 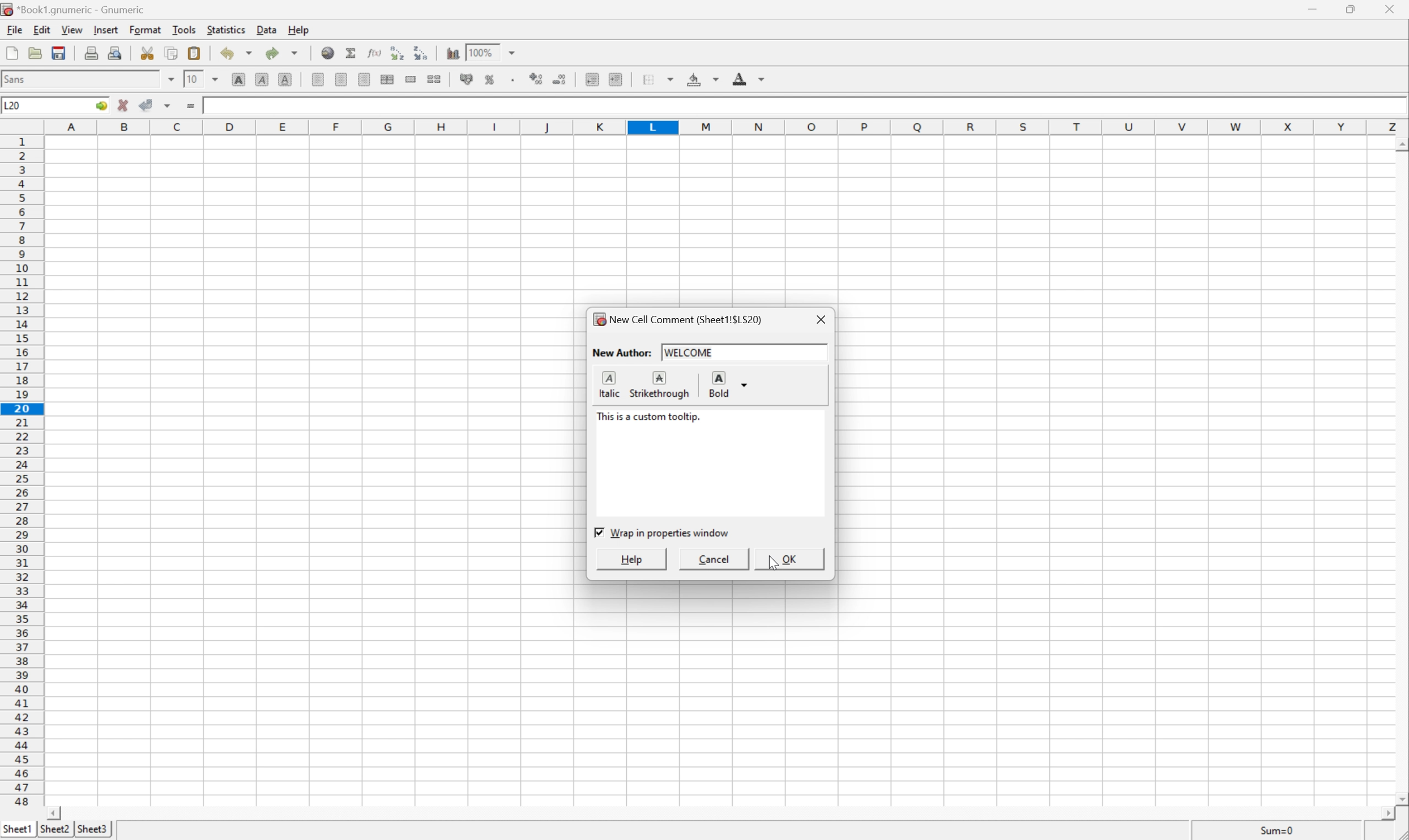 I want to click on Help, so click(x=629, y=559).